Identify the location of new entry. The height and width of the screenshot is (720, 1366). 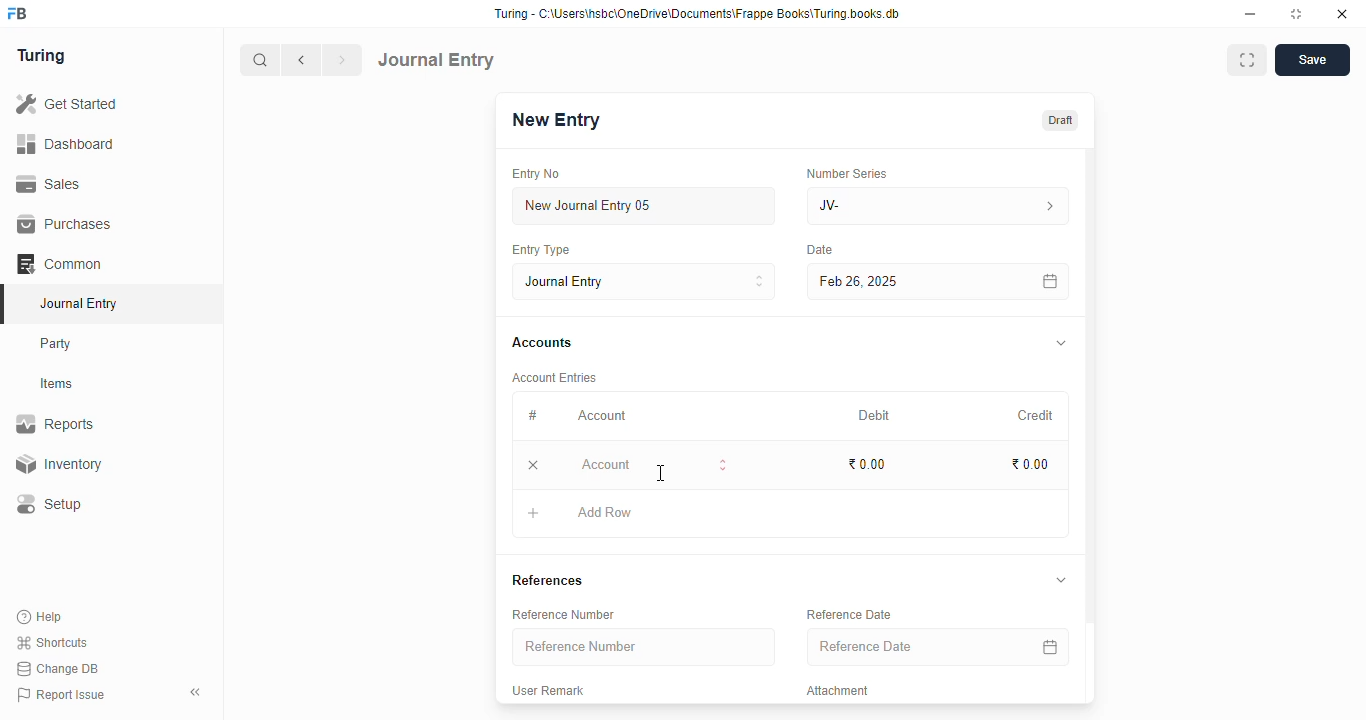
(555, 120).